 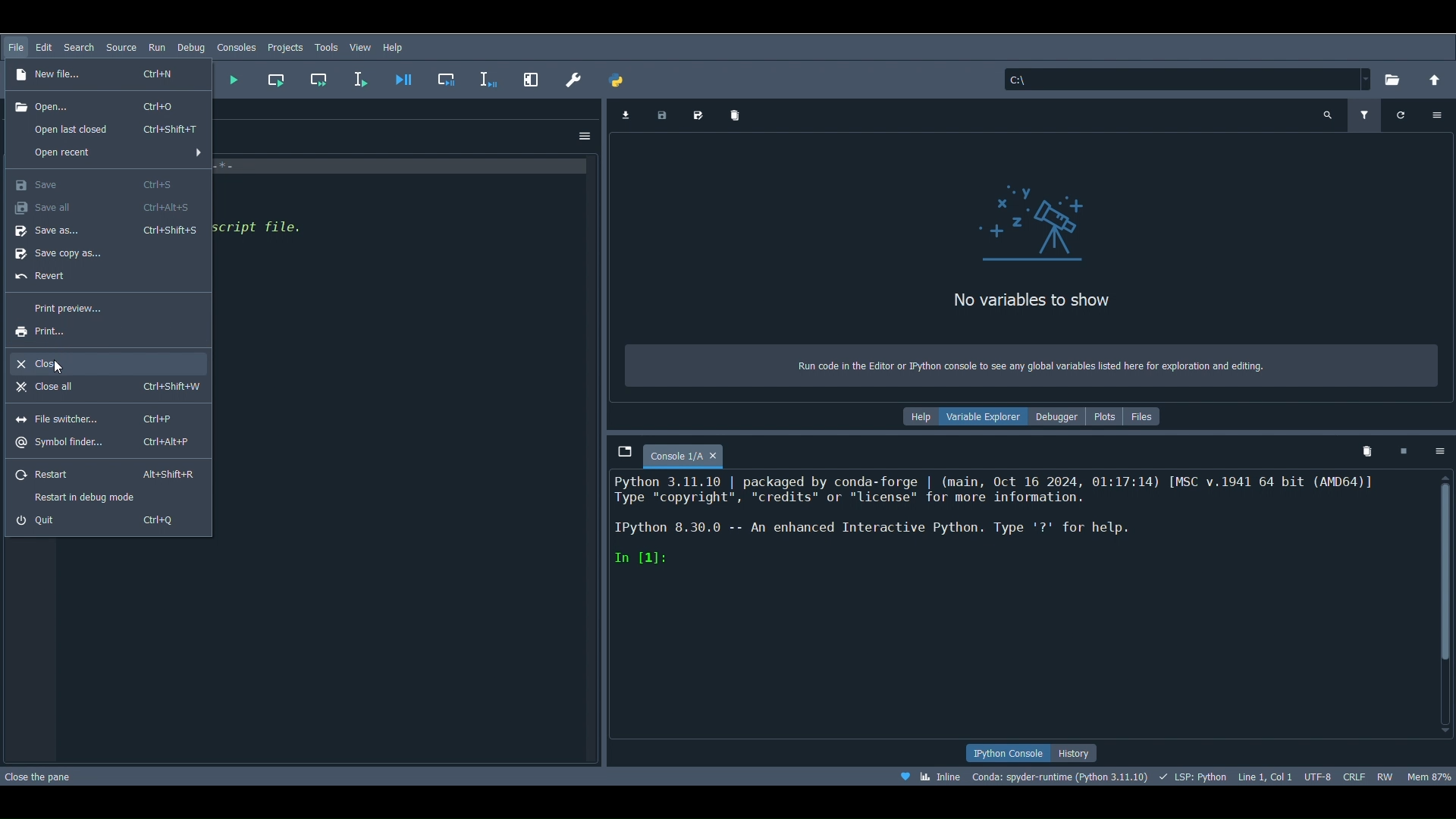 What do you see at coordinates (1356, 774) in the screenshot?
I see `File EOL Status` at bounding box center [1356, 774].